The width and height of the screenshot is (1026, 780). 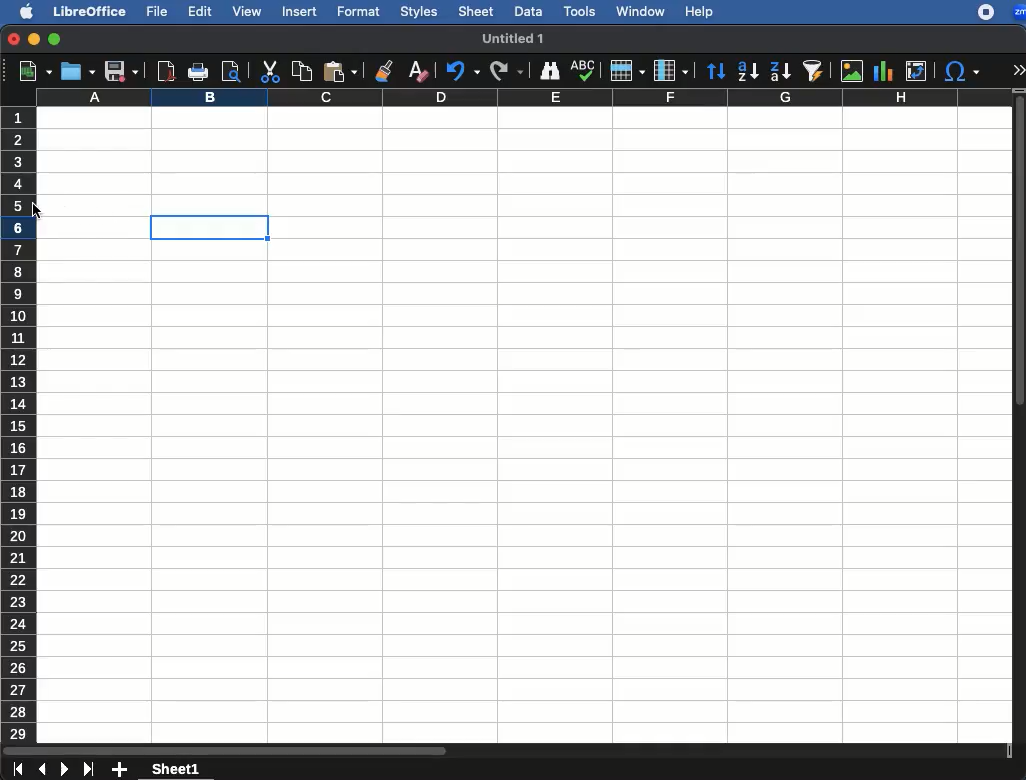 What do you see at coordinates (122, 72) in the screenshot?
I see `save` at bounding box center [122, 72].